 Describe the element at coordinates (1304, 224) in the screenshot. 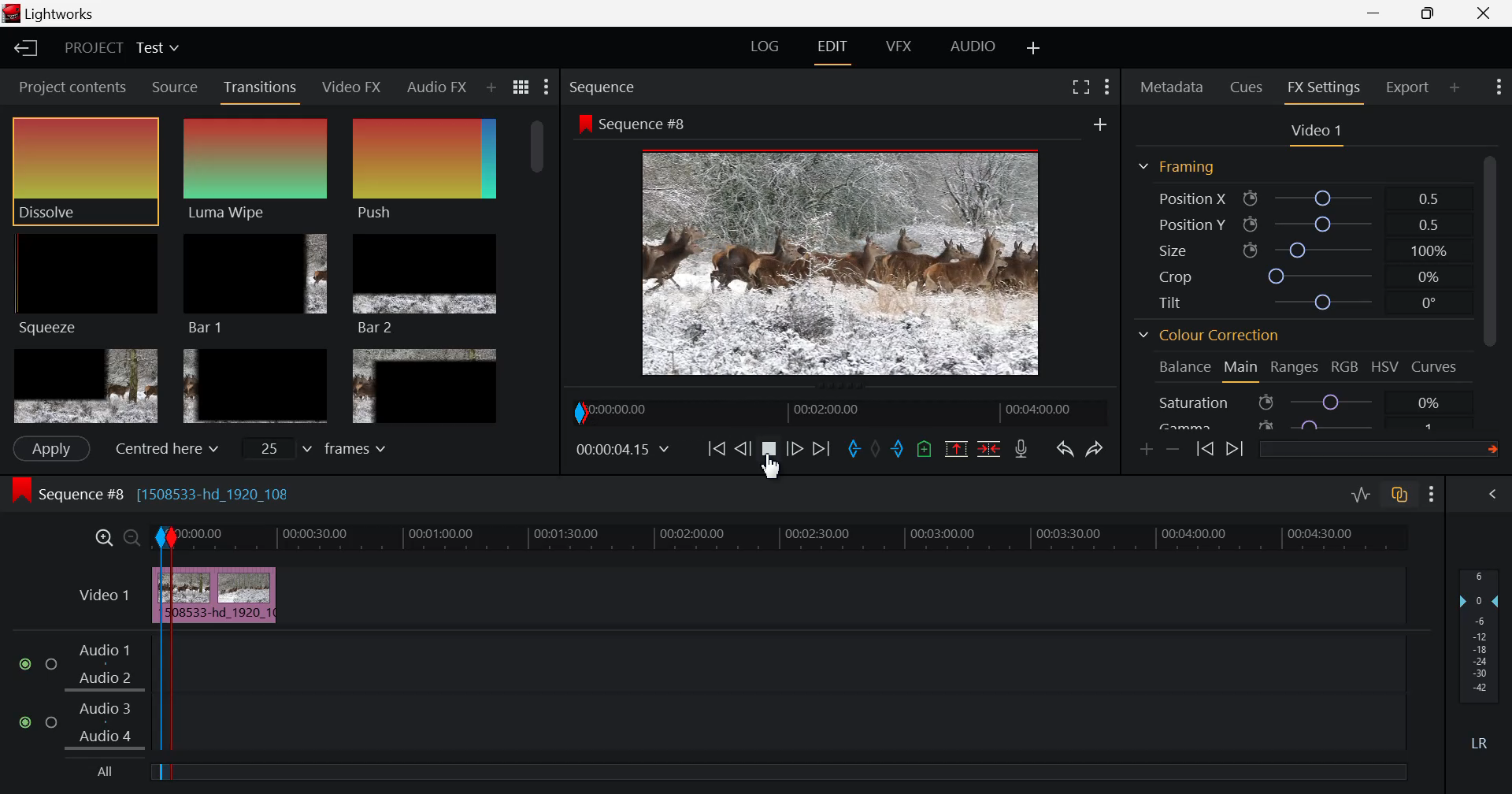

I see `Position Y` at that location.